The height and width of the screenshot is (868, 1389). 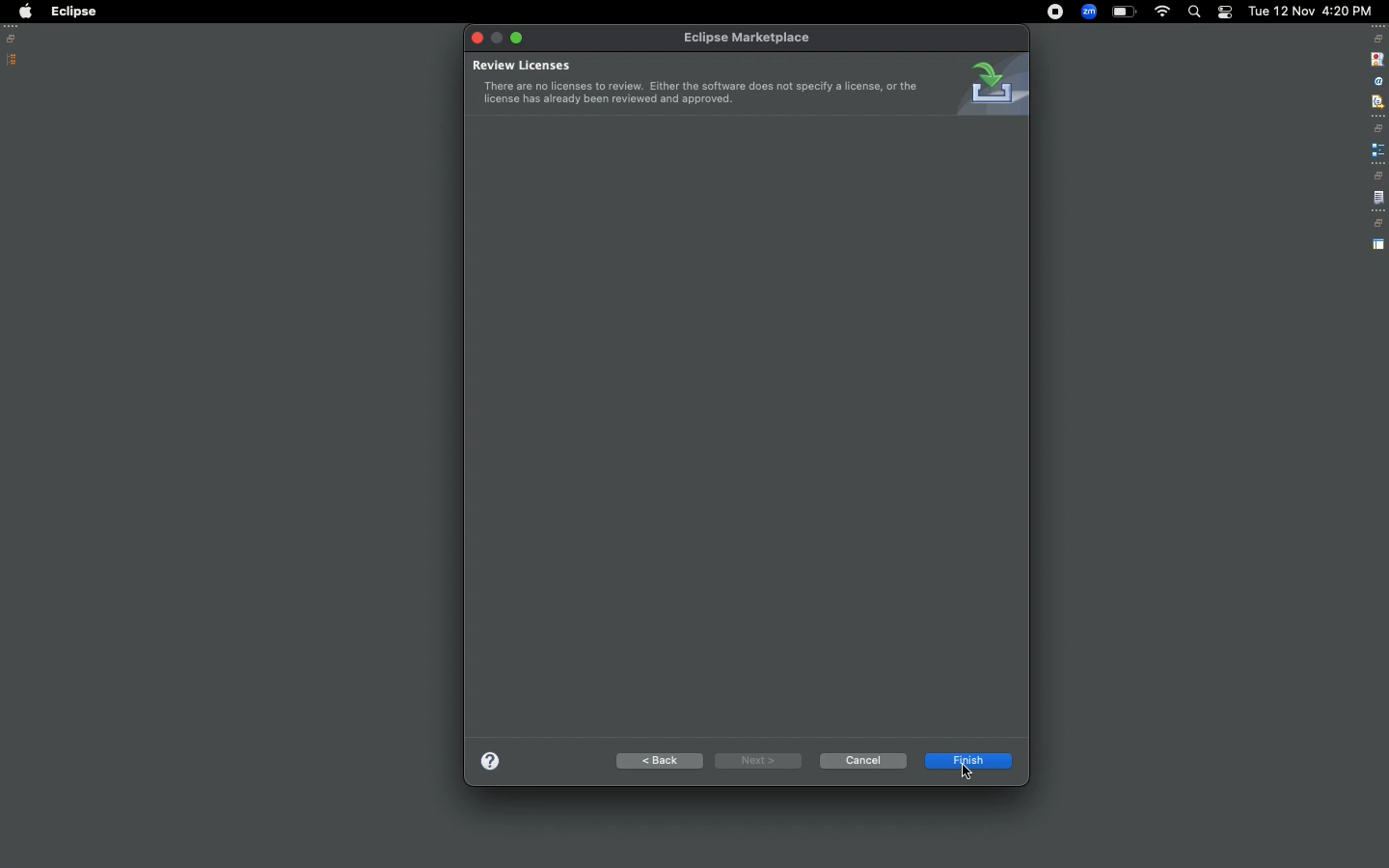 I want to click on eclipse marketplace, so click(x=749, y=39).